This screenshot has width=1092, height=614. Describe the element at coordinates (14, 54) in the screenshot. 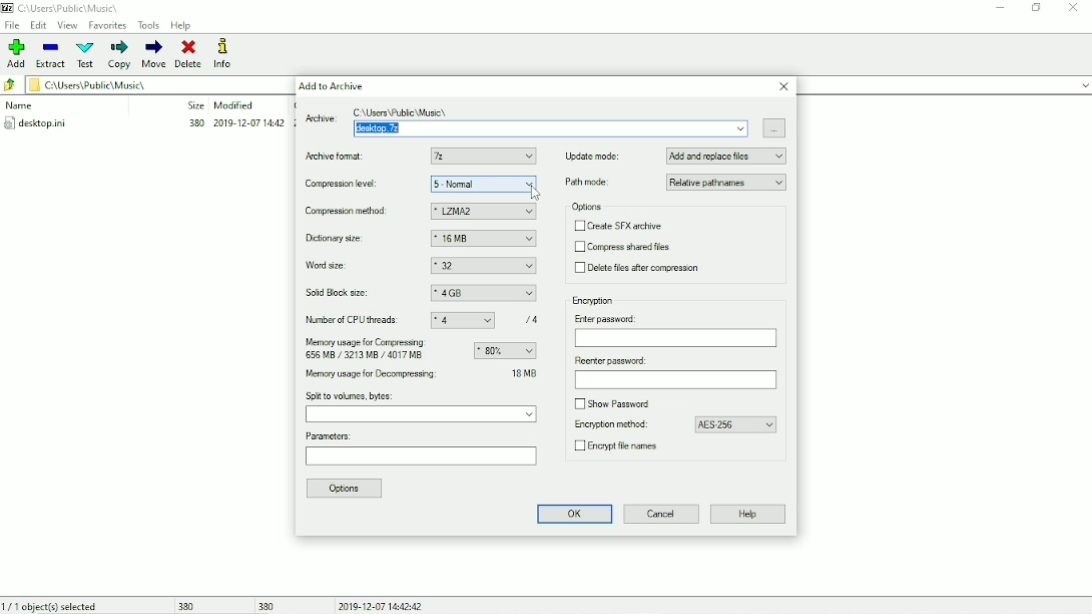

I see `Add` at that location.